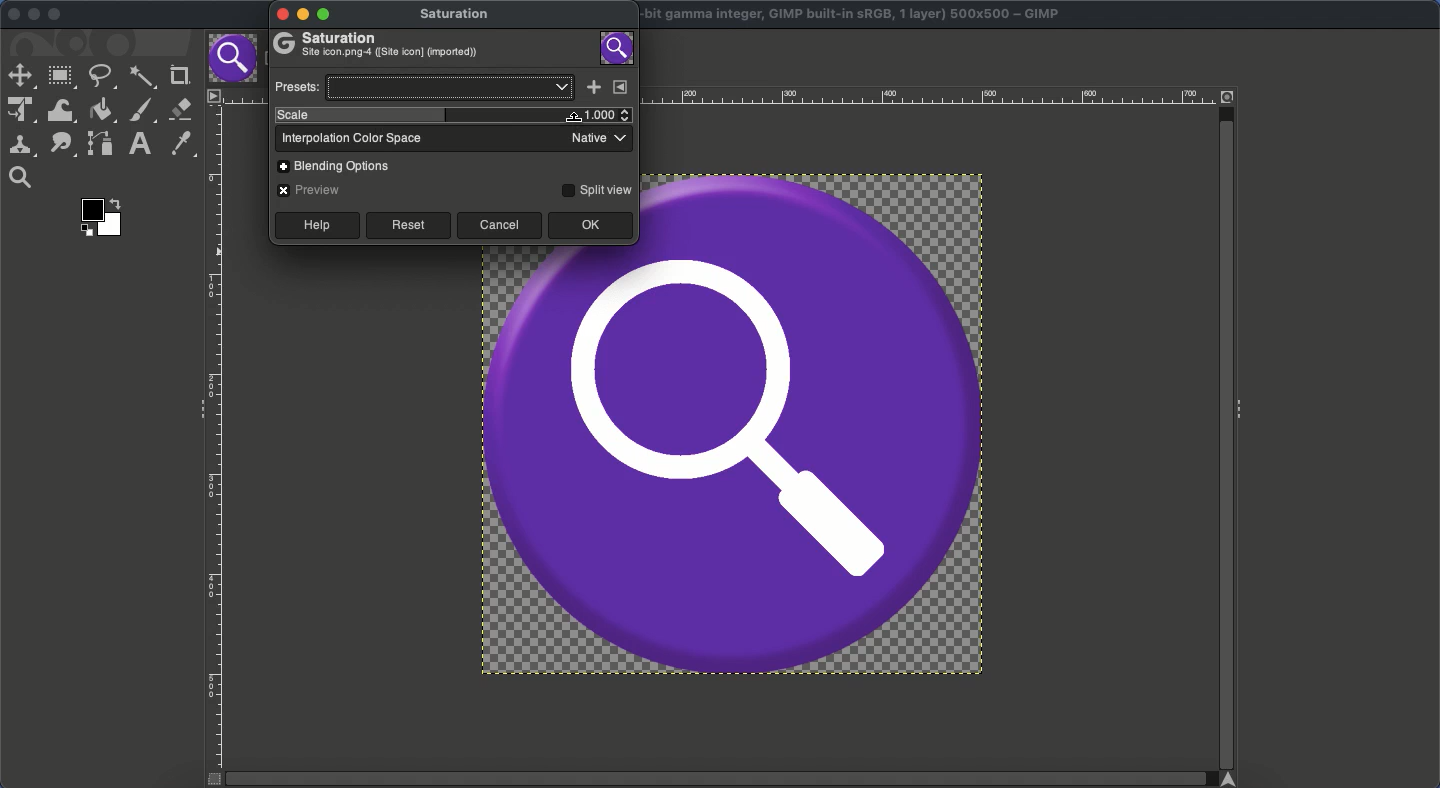 Image resolution: width=1440 pixels, height=788 pixels. I want to click on Ruler, so click(932, 96).